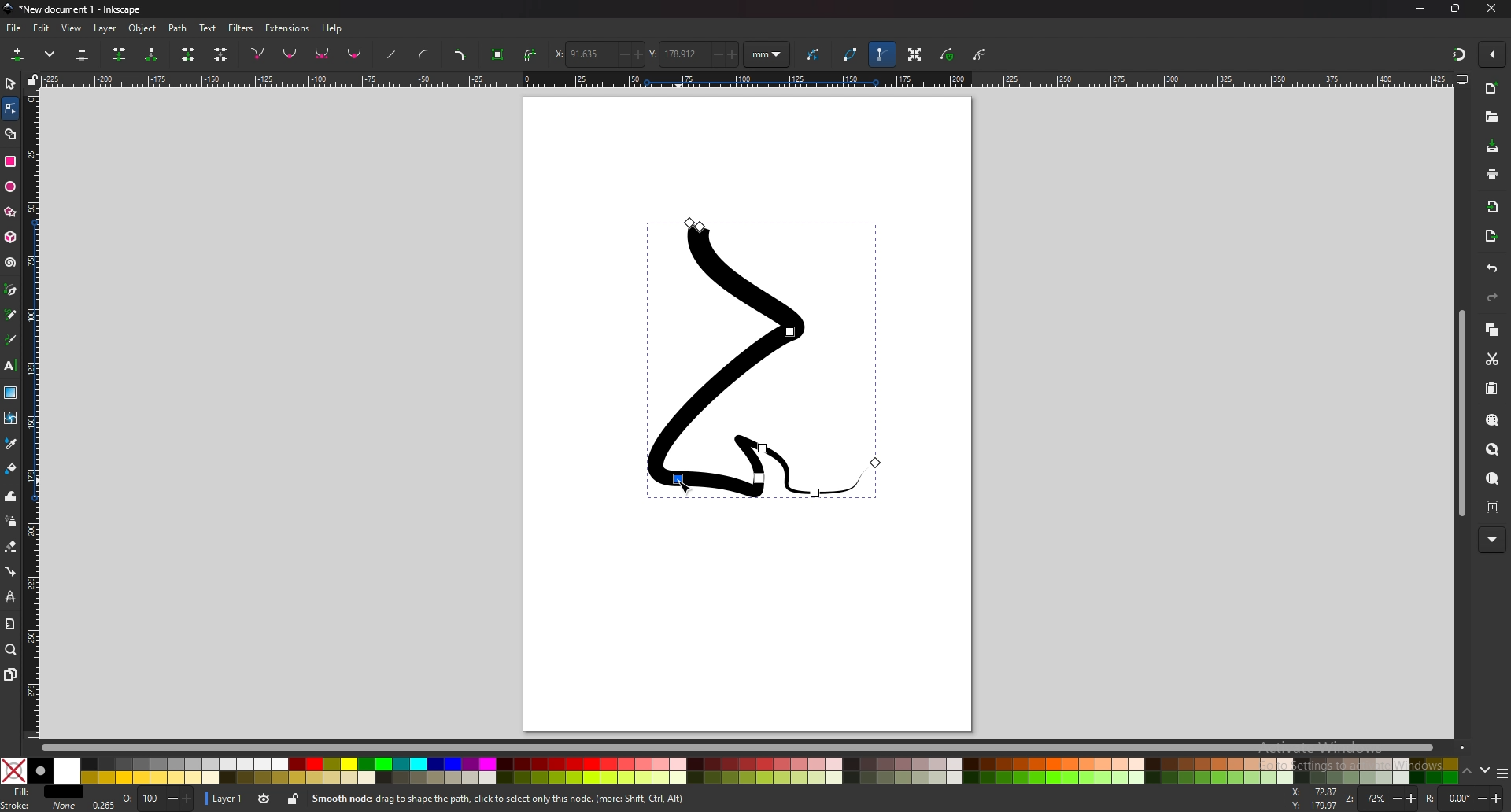 This screenshot has height=812, width=1511. What do you see at coordinates (1493, 269) in the screenshot?
I see `undo` at bounding box center [1493, 269].